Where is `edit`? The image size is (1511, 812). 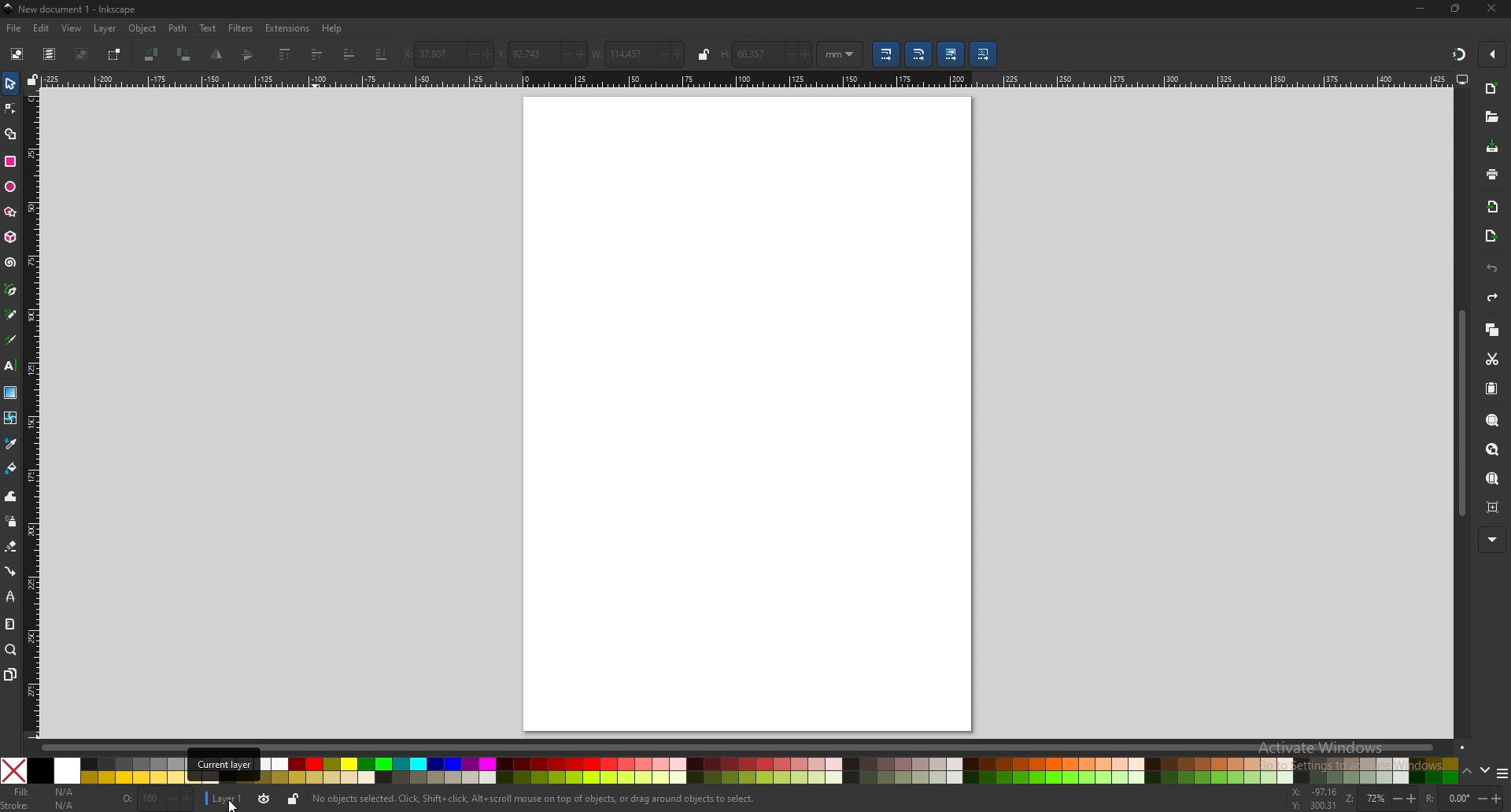 edit is located at coordinates (42, 28).